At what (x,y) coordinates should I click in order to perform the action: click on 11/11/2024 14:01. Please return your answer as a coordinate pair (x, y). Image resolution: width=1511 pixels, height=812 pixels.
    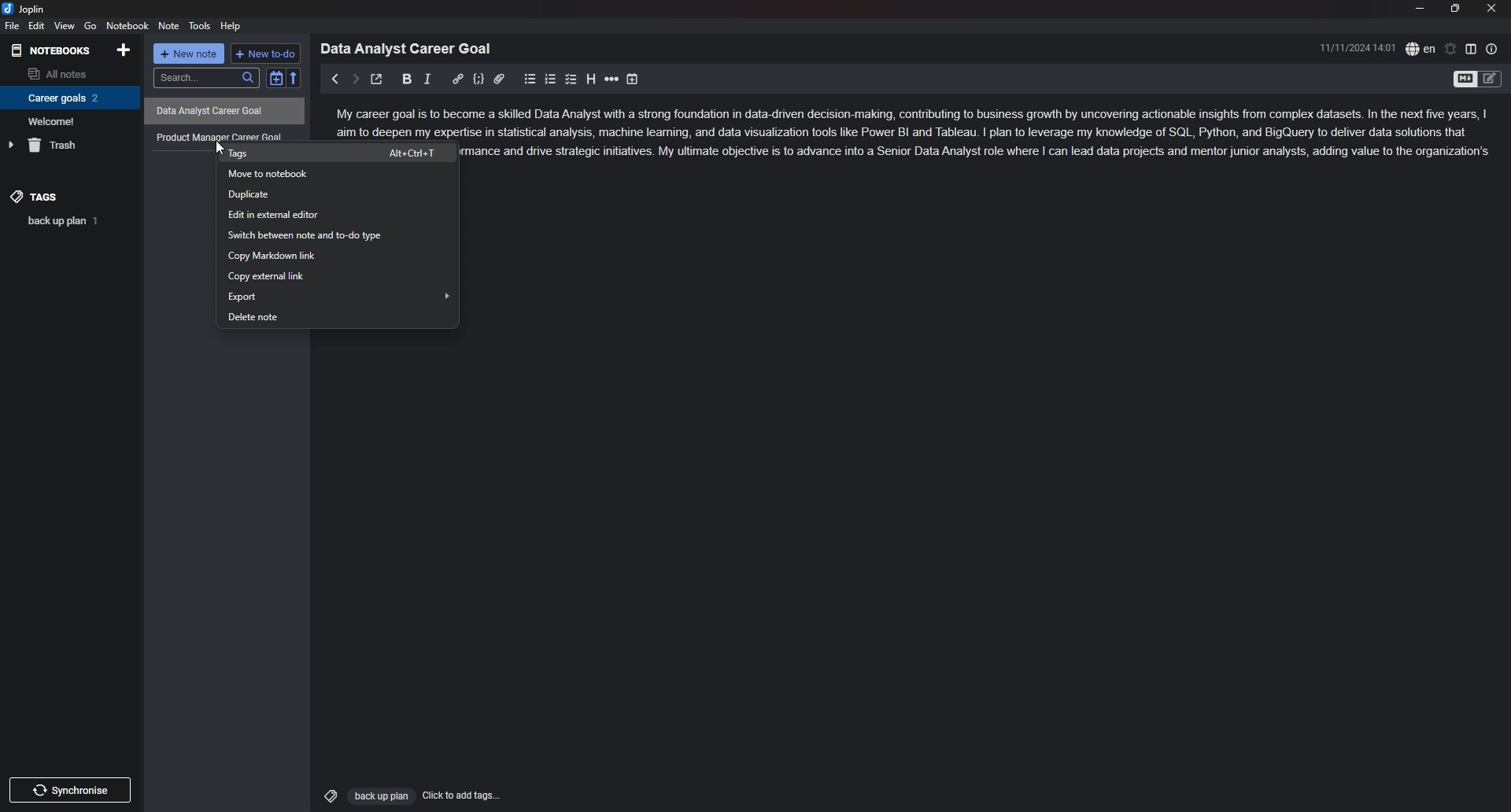
    Looking at the image, I should click on (1358, 47).